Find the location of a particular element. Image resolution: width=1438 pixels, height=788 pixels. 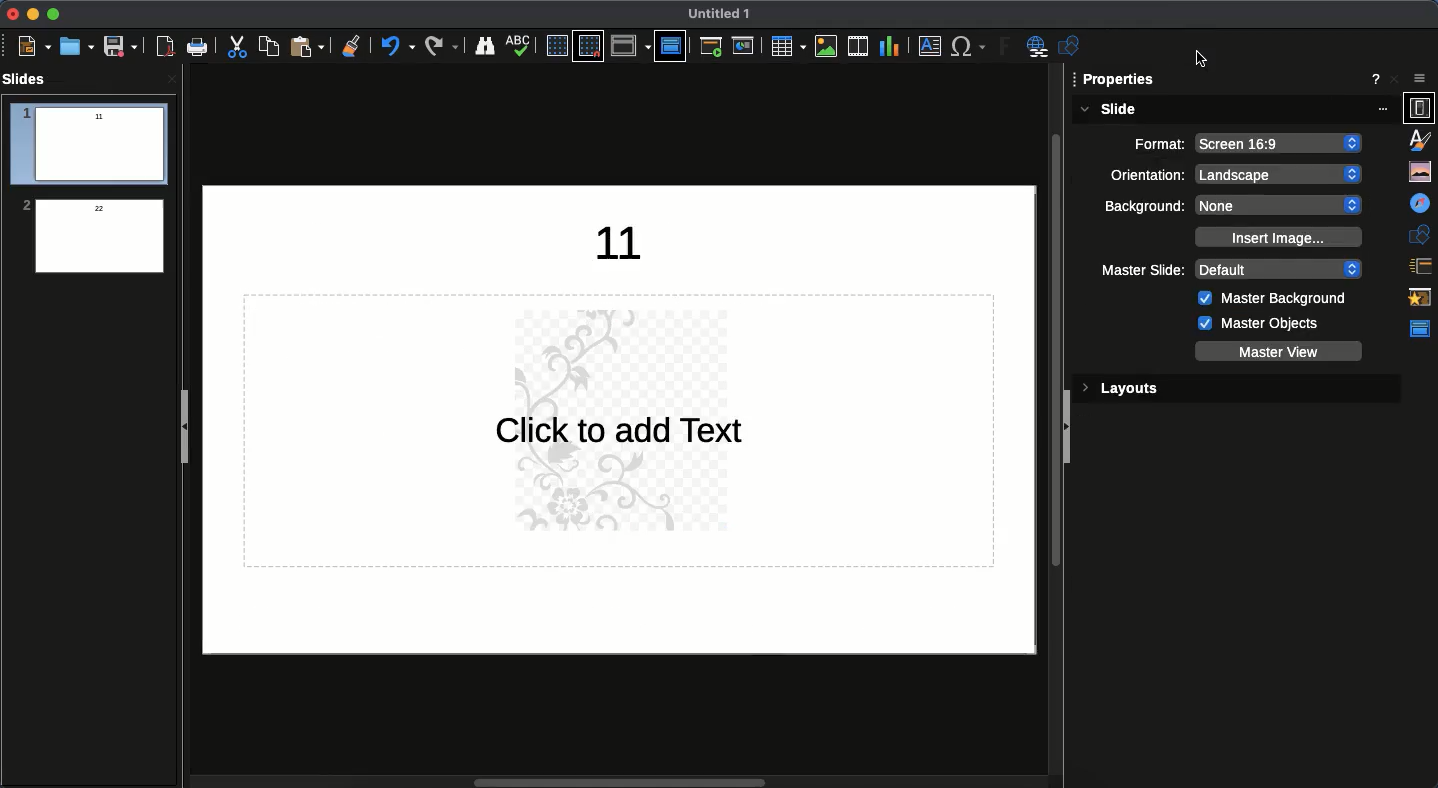

Clean formatting is located at coordinates (351, 46).